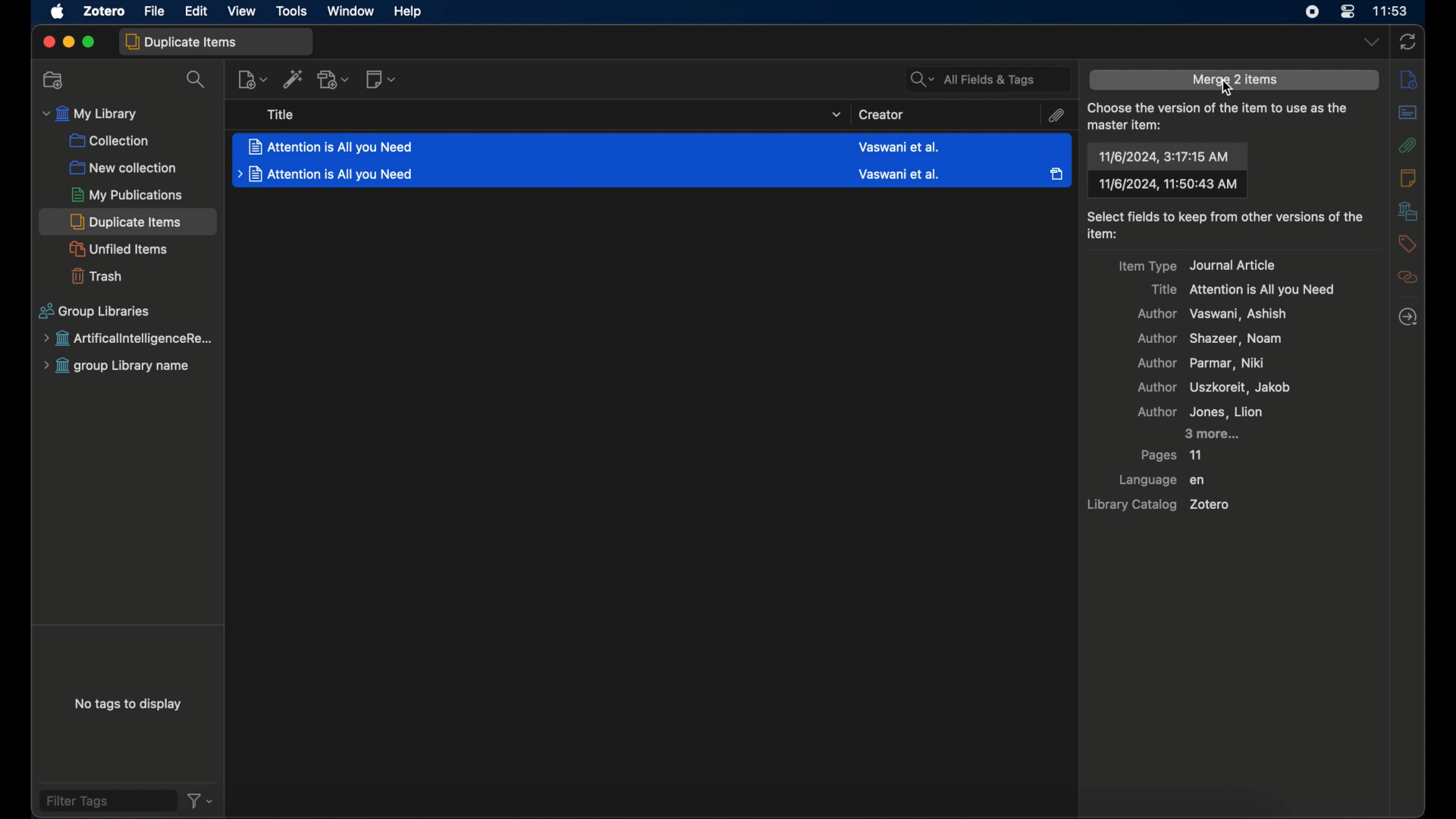 This screenshot has width=1456, height=819. Describe the element at coordinates (200, 802) in the screenshot. I see `filter` at that location.